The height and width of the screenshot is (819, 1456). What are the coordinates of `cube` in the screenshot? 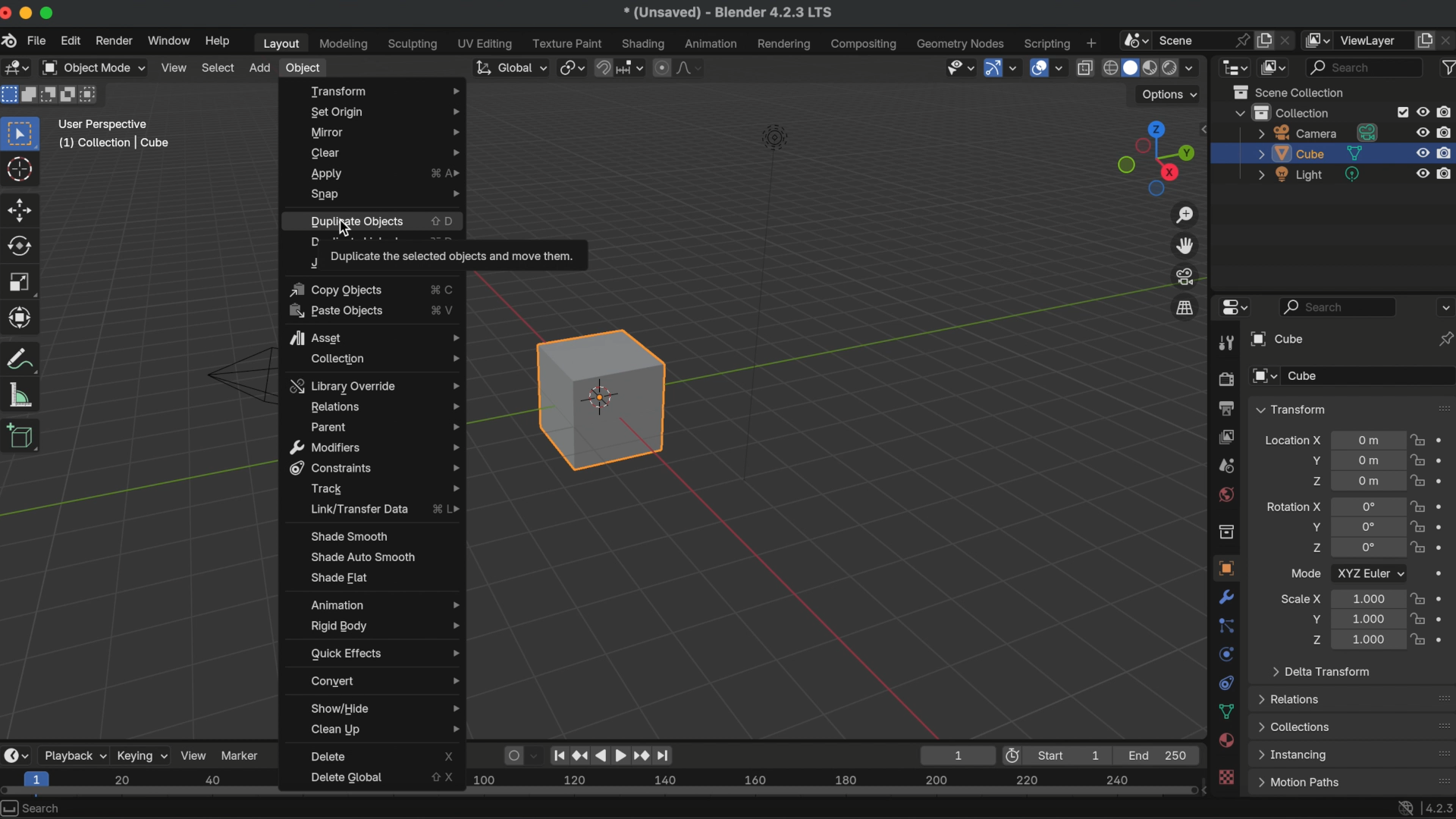 It's located at (1310, 153).